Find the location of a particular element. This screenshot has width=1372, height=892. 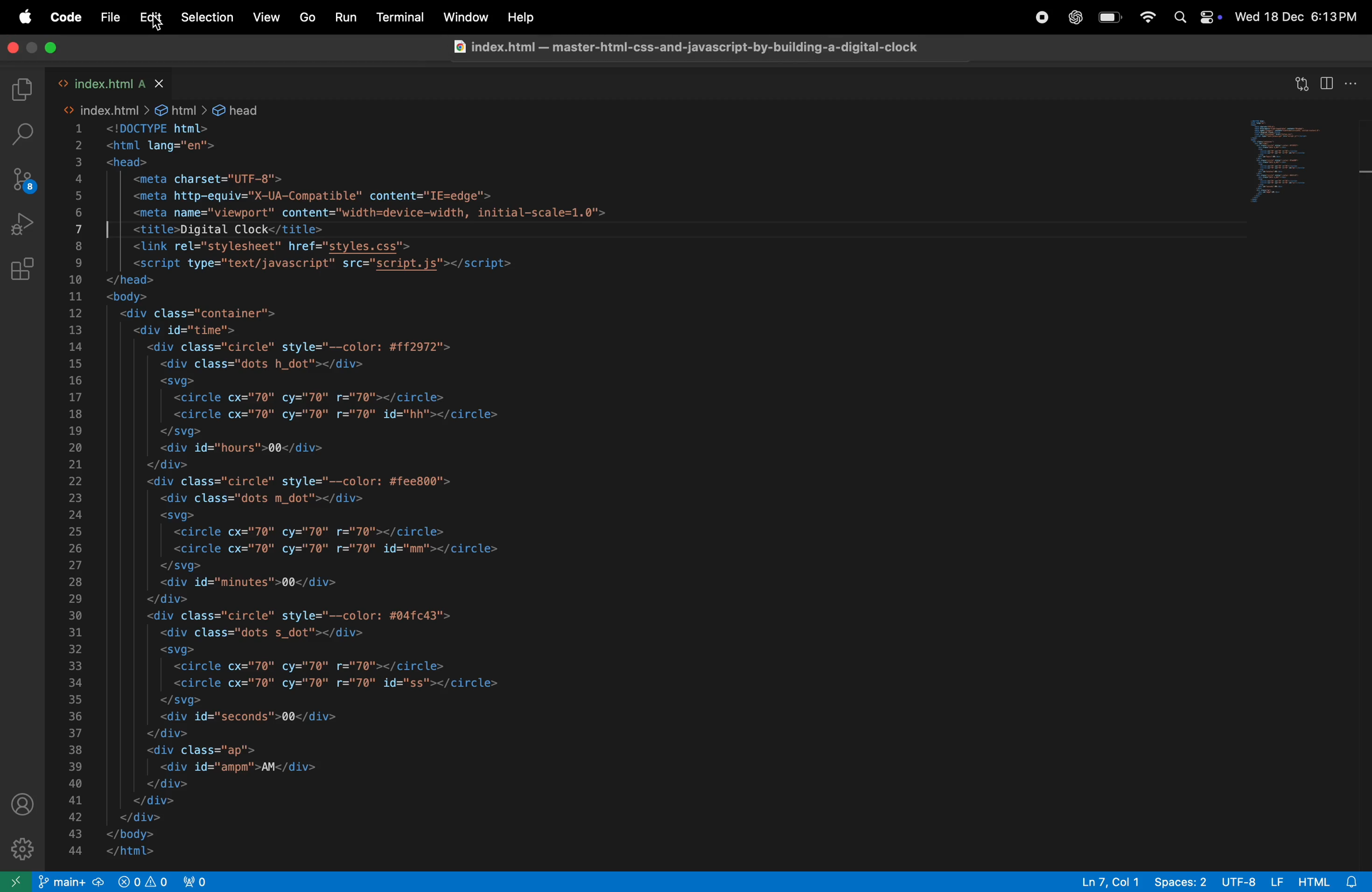

close is located at coordinates (18, 48).